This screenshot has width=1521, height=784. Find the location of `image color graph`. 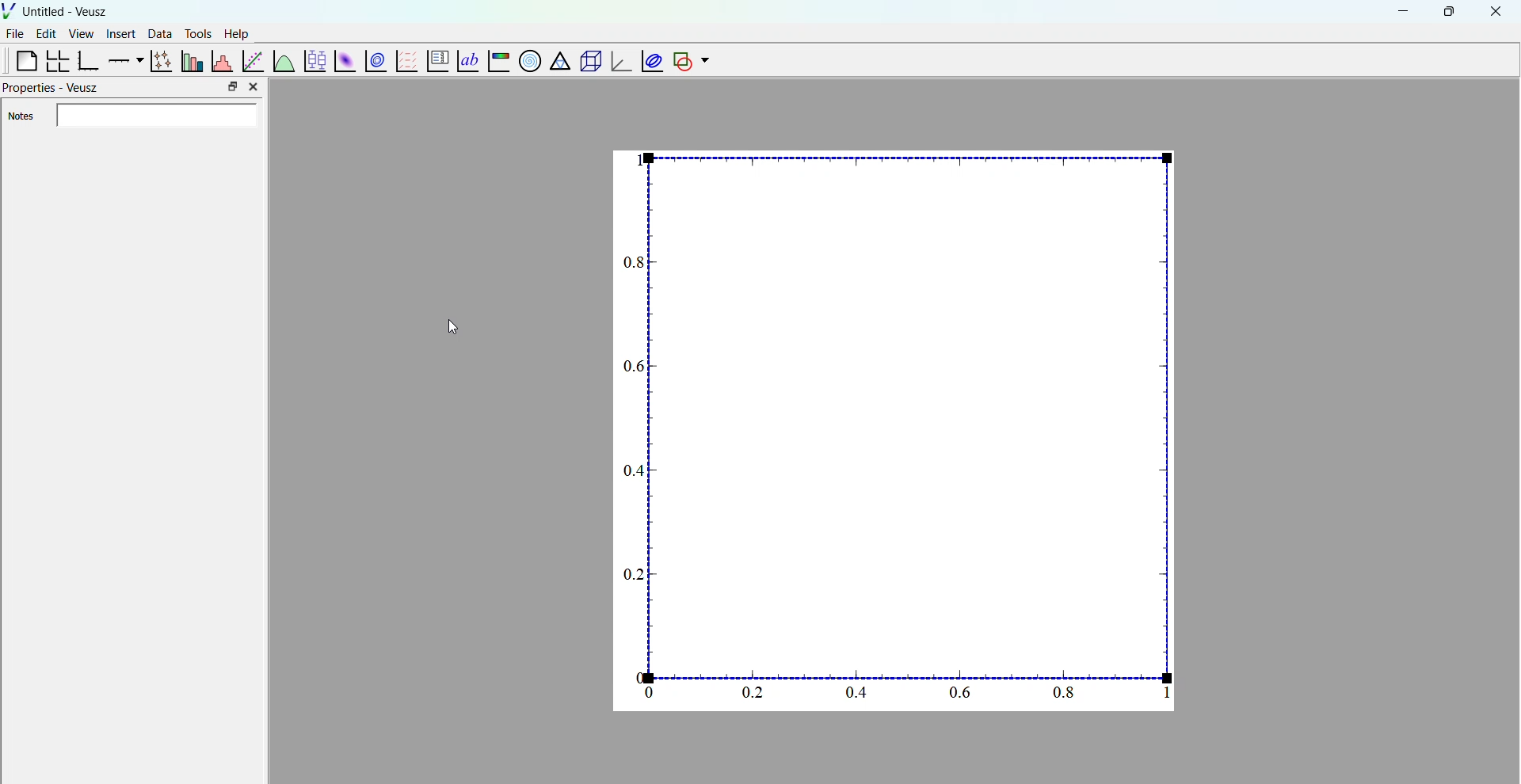

image color graph is located at coordinates (497, 63).